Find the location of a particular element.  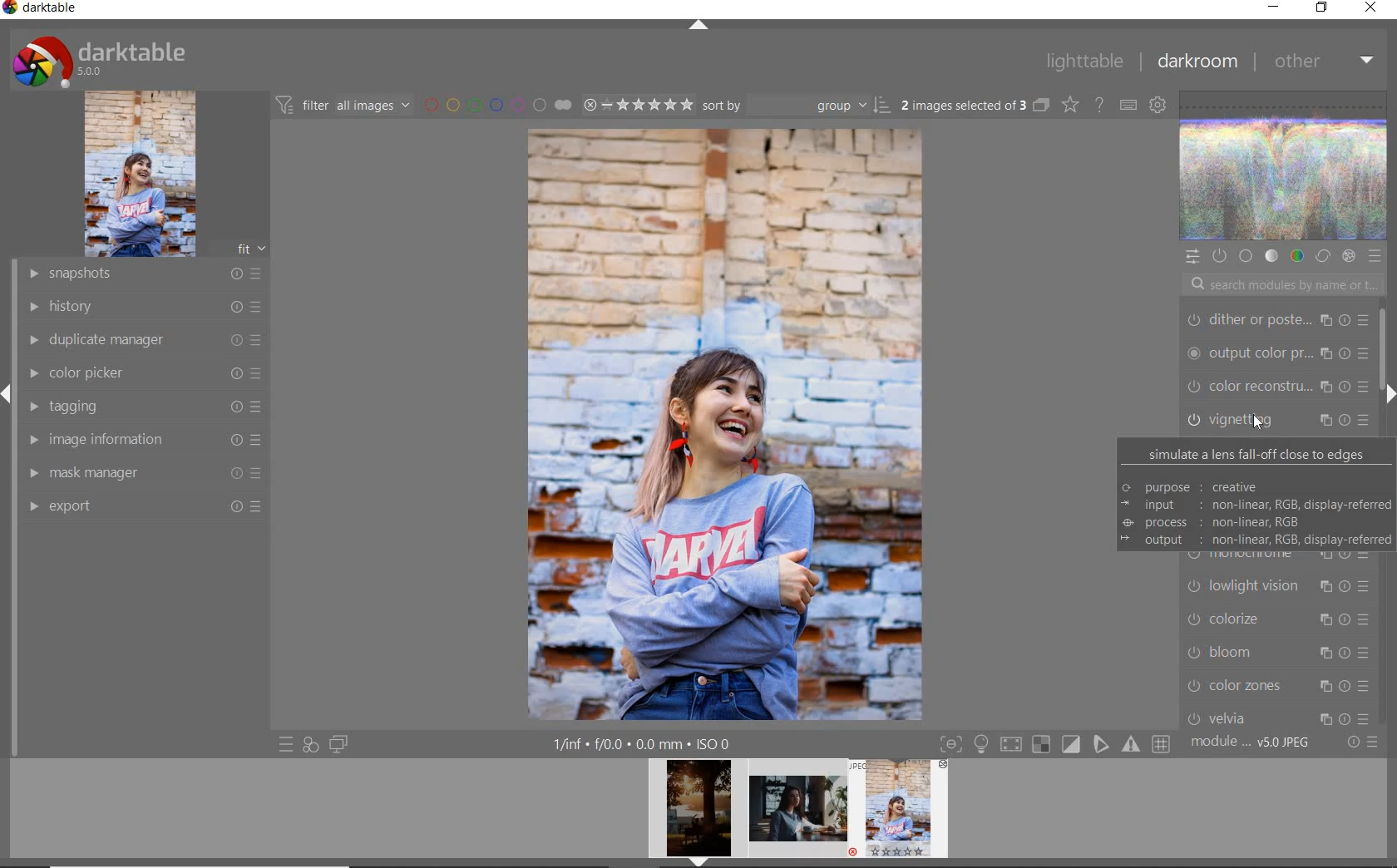

expand/collapse is located at coordinates (698, 27).